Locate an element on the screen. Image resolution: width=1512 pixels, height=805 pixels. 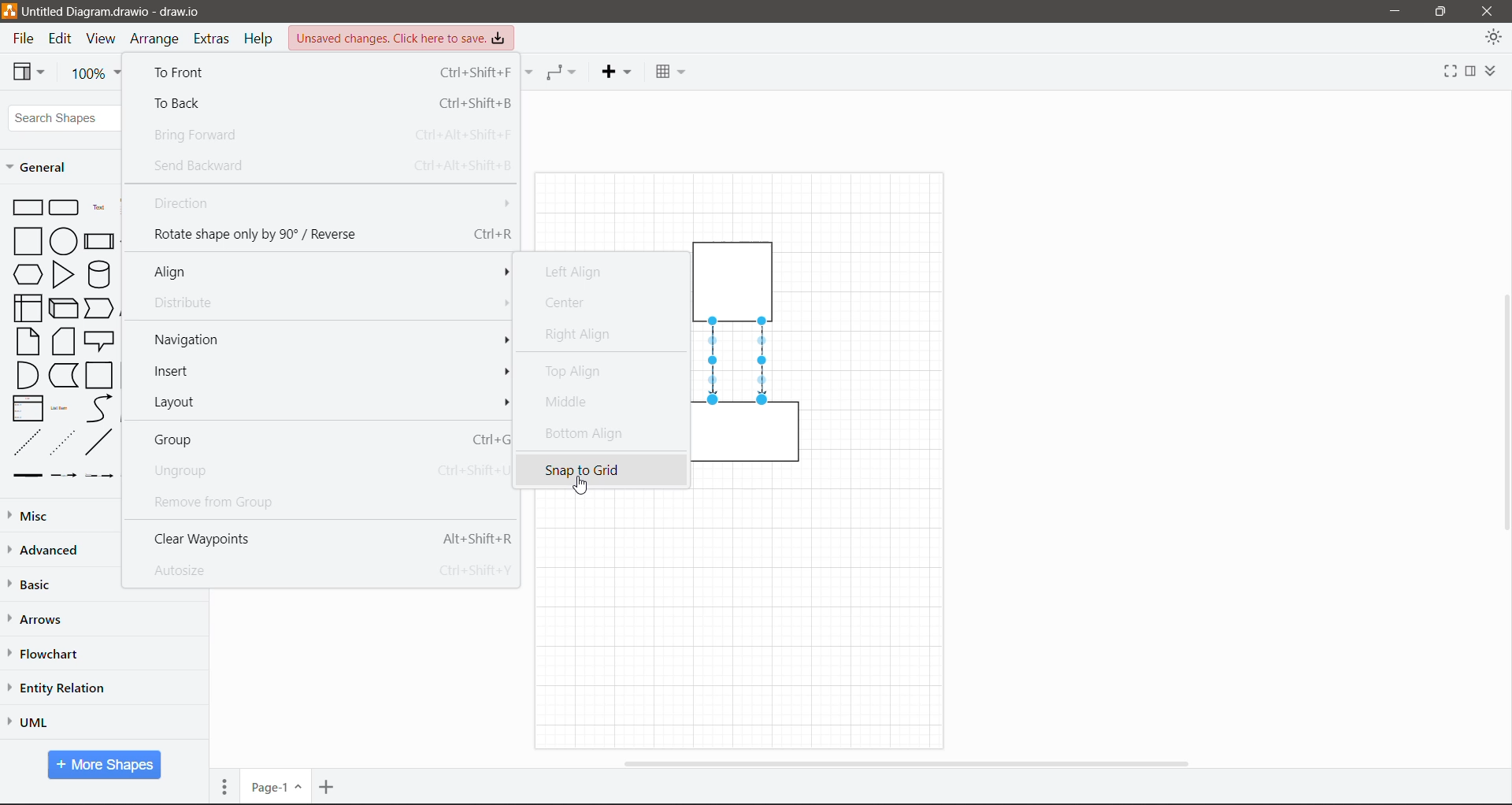
Table is located at coordinates (669, 69).